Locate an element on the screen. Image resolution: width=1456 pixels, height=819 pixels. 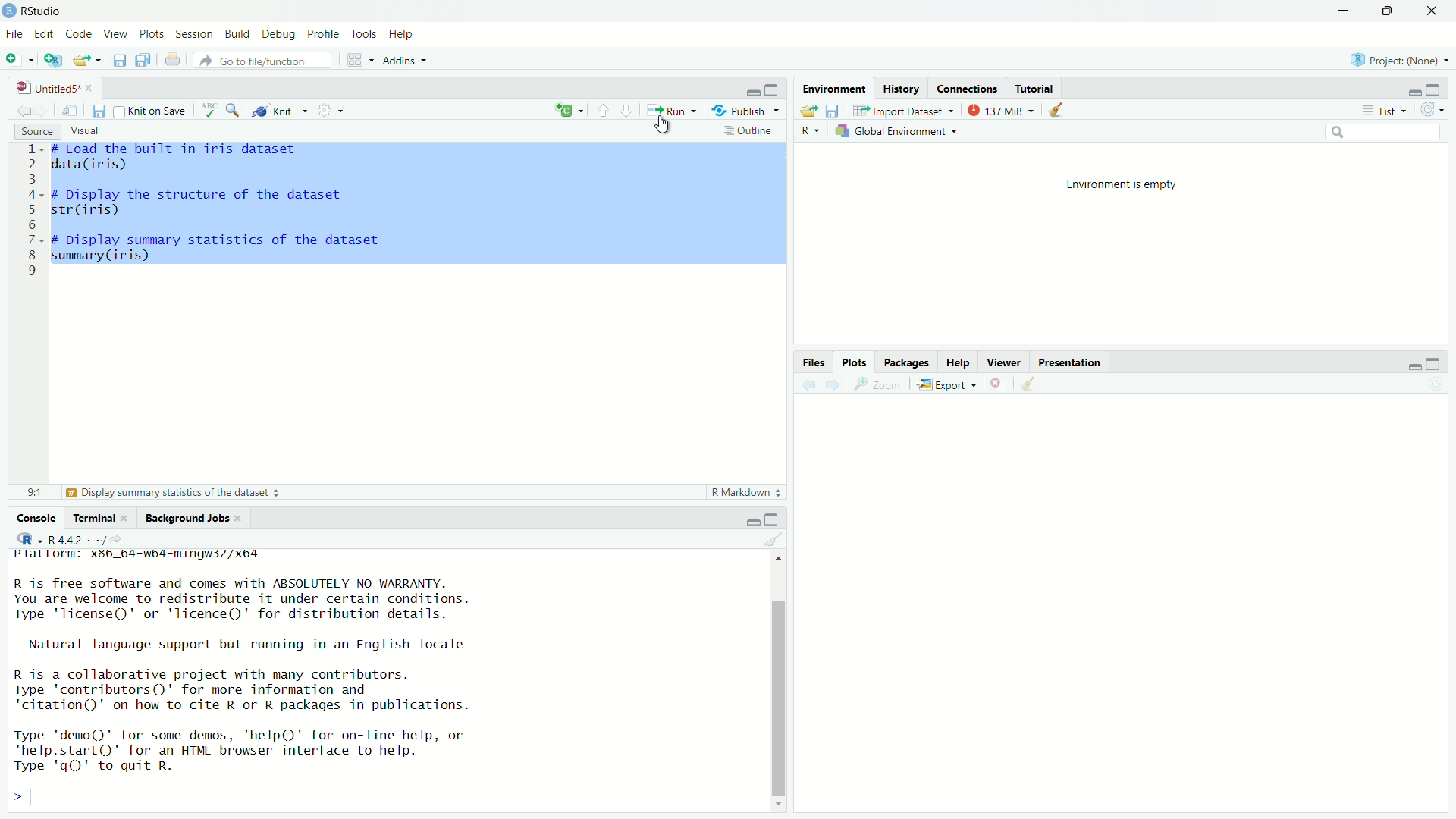
Create new project is located at coordinates (53, 61).